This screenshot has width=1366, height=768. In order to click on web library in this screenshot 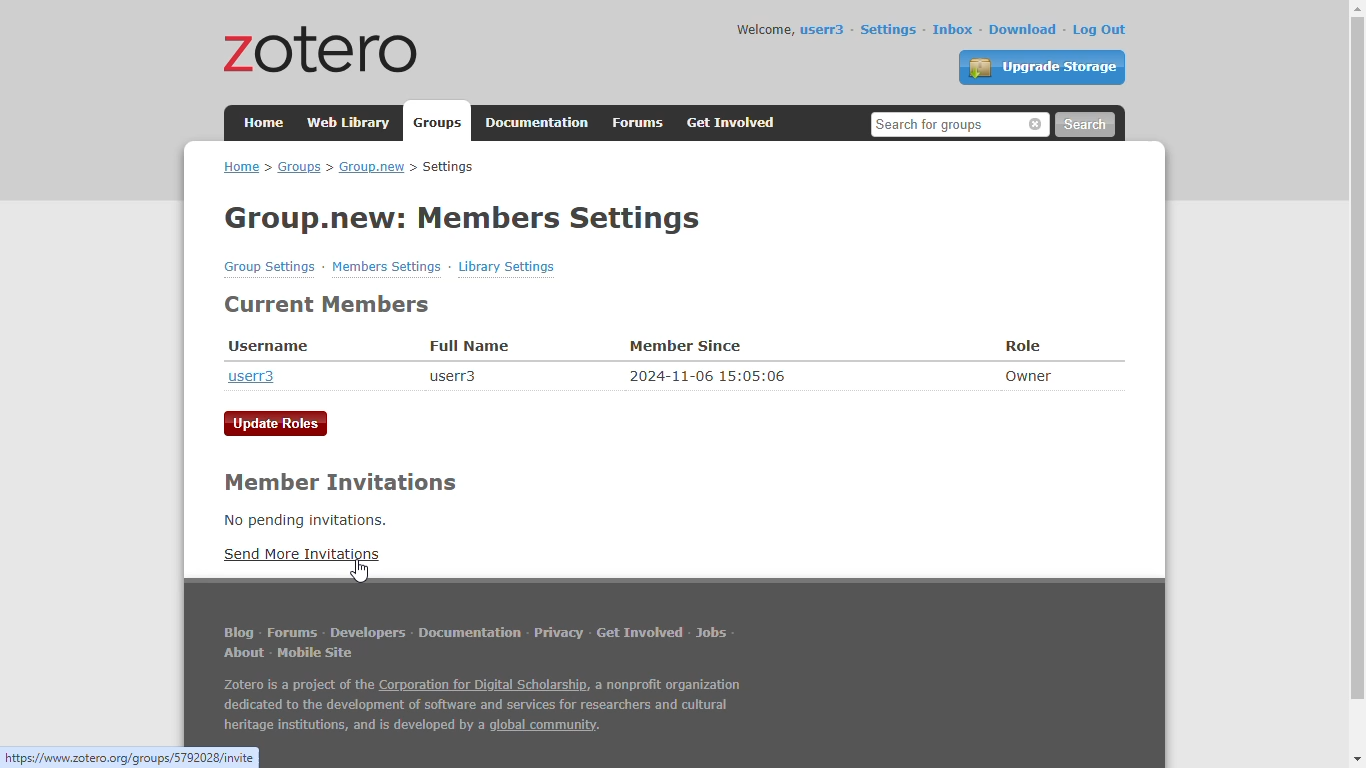, I will do `click(351, 122)`.